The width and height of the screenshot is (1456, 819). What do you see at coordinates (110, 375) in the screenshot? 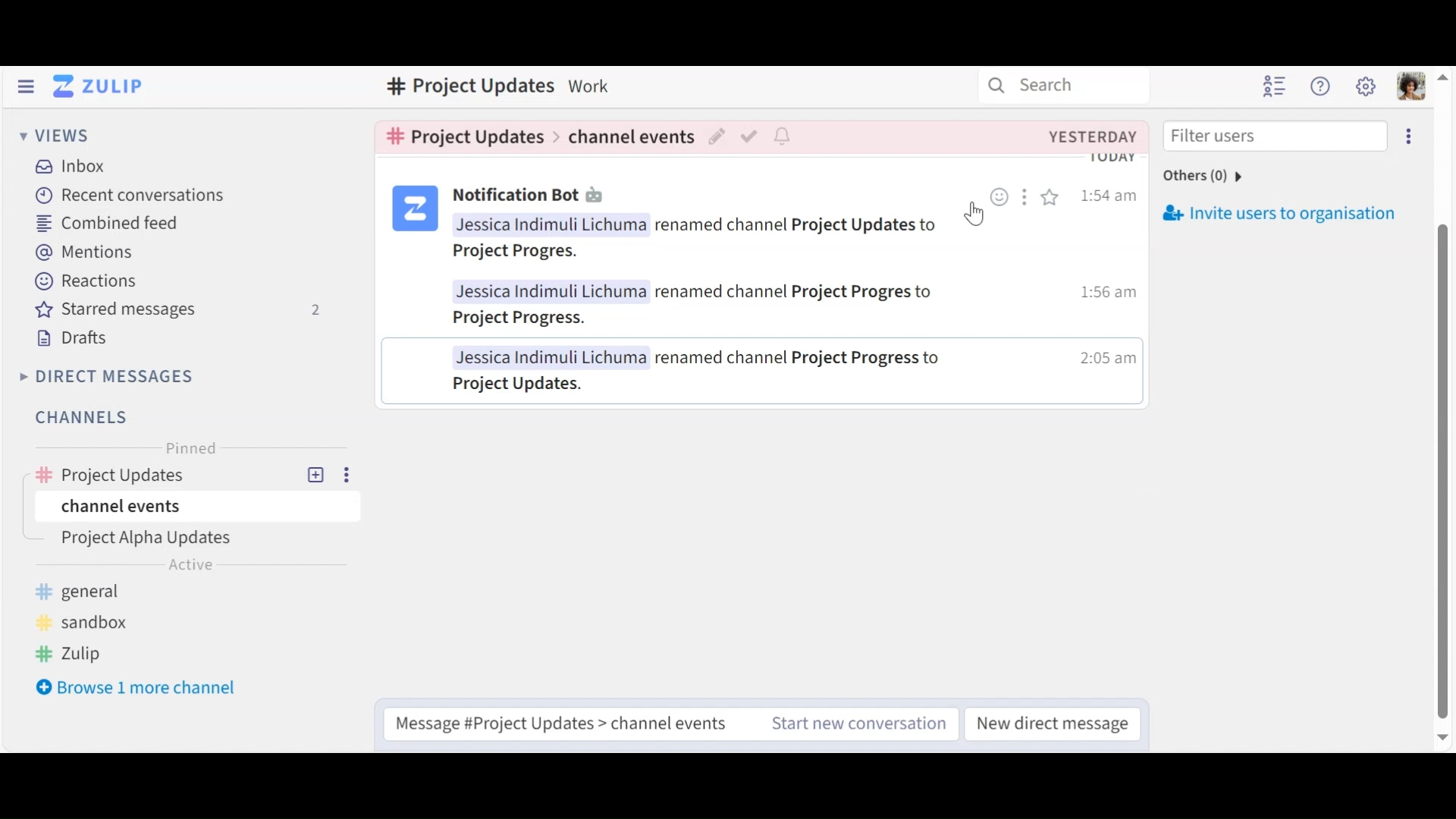
I see `Direct Messages` at bounding box center [110, 375].